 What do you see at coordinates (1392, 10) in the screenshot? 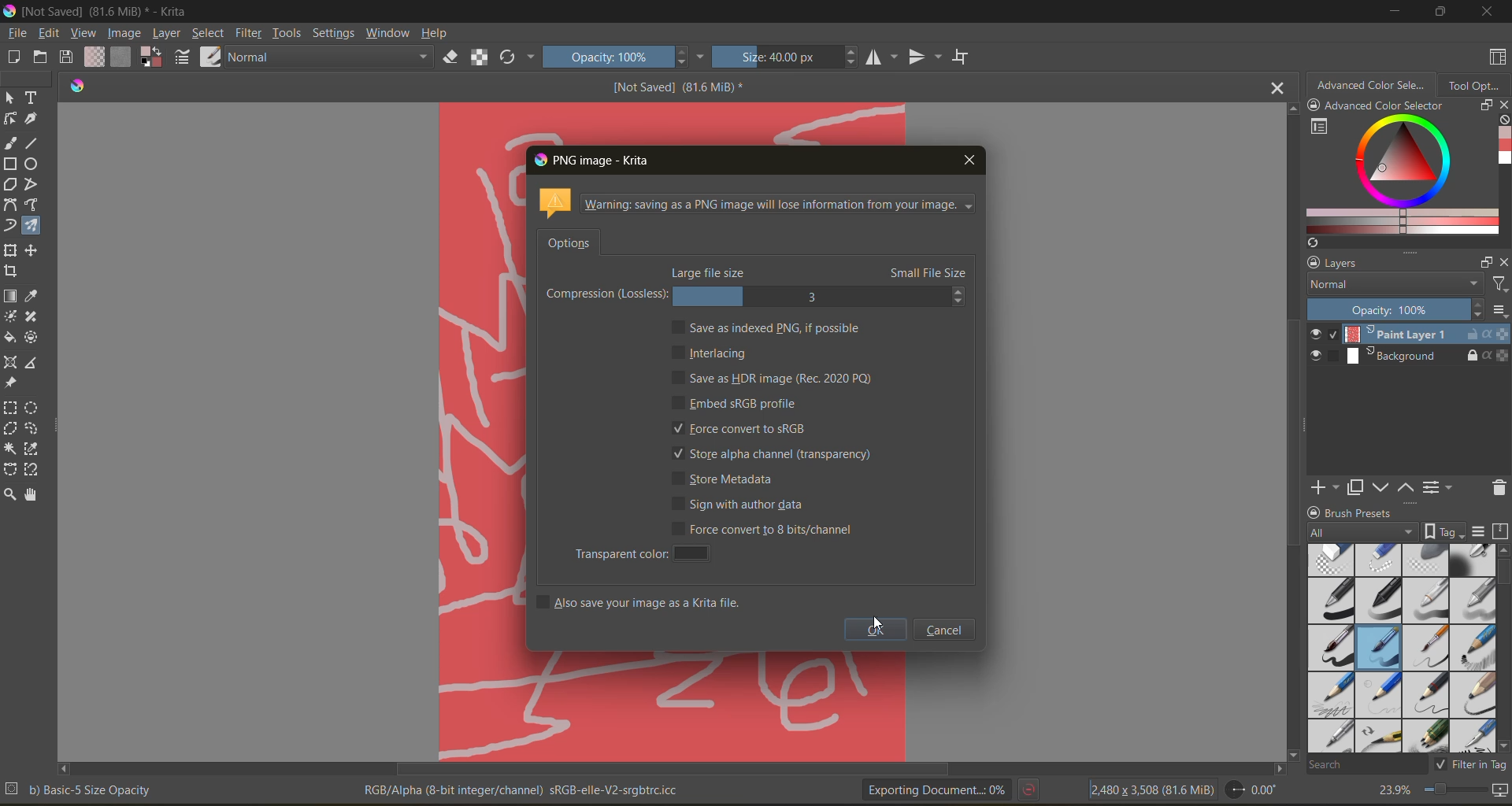
I see `minimize` at bounding box center [1392, 10].